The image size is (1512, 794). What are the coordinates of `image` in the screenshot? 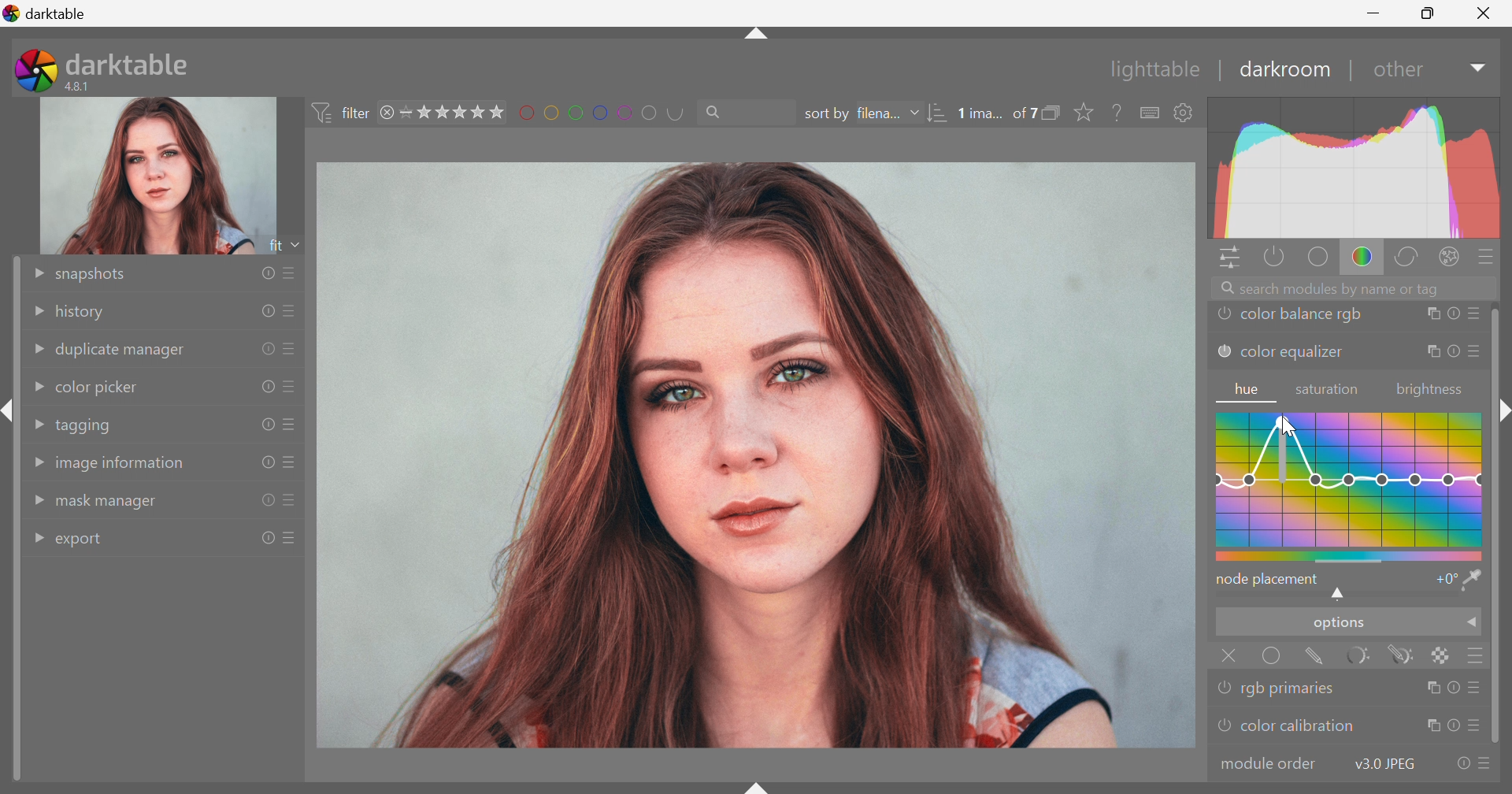 It's located at (757, 456).